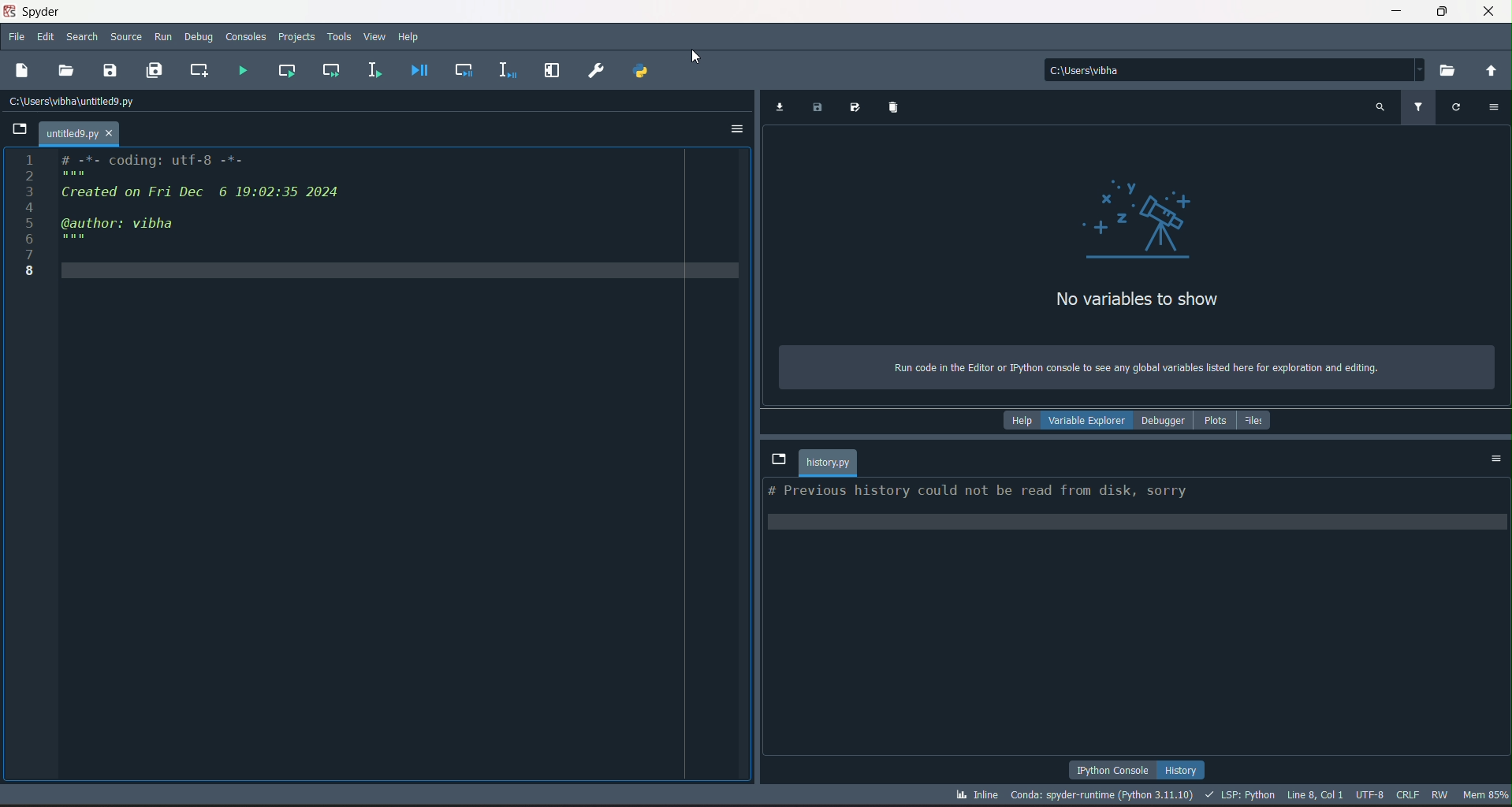 Image resolution: width=1512 pixels, height=807 pixels. I want to click on save file, so click(111, 70).